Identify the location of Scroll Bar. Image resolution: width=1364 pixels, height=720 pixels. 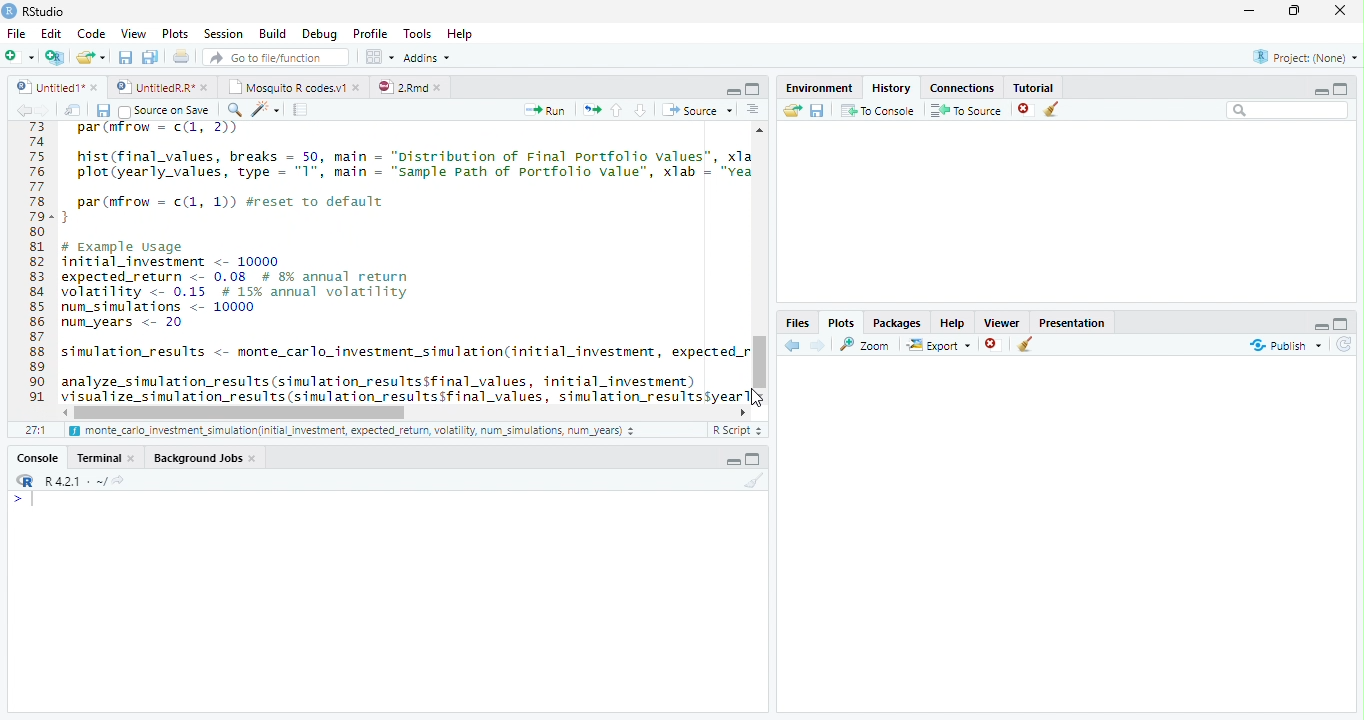
(760, 358).